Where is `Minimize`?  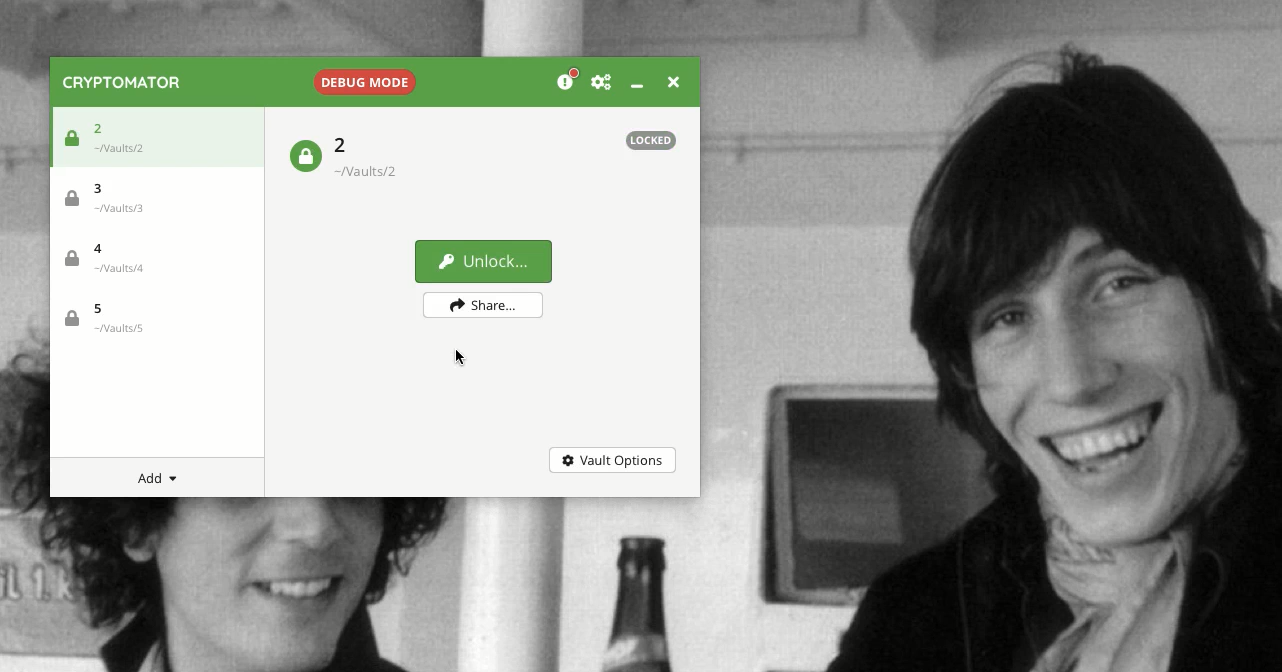
Minimize is located at coordinates (636, 85).